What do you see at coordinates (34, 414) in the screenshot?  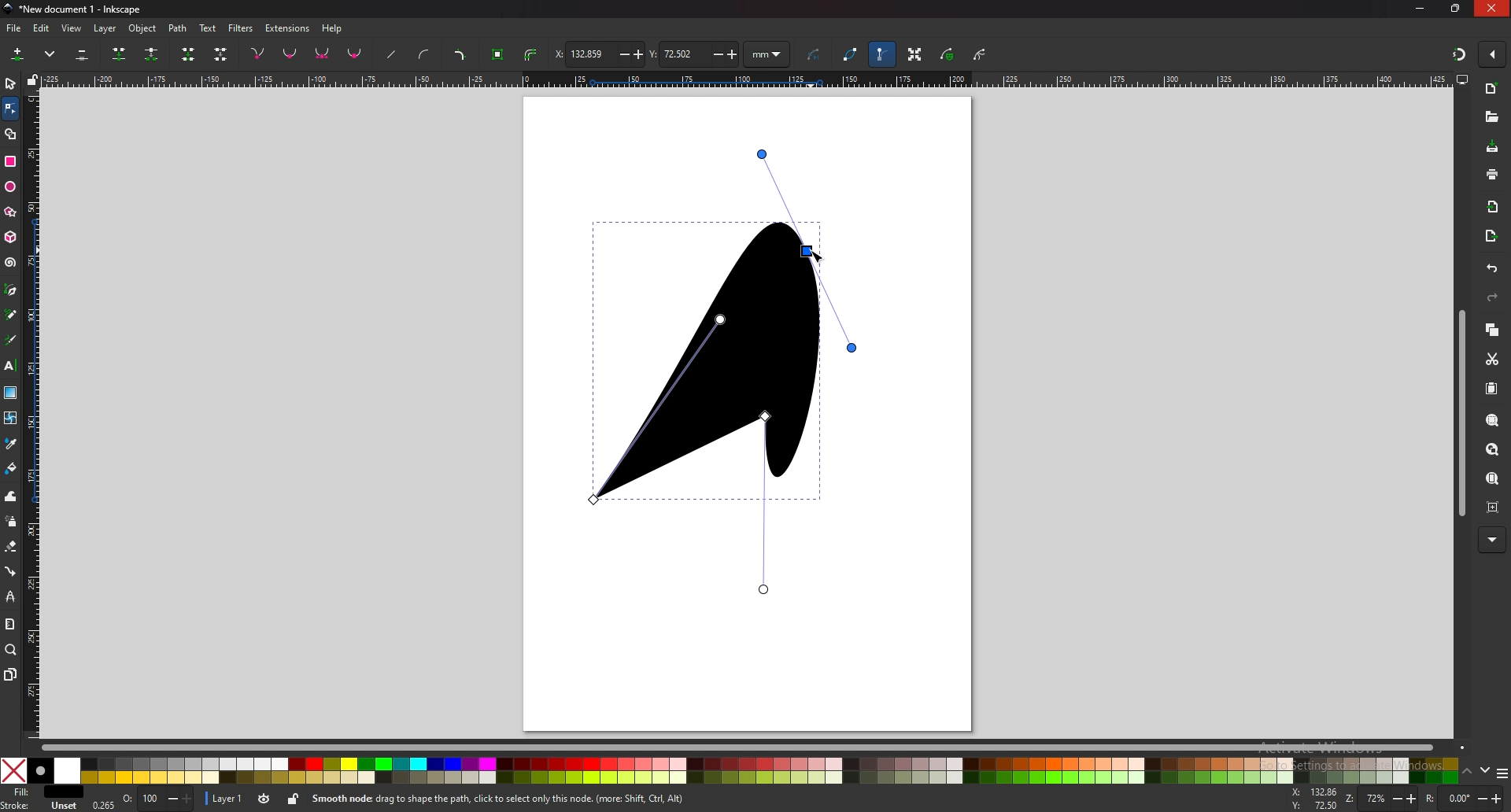 I see `vertical scale` at bounding box center [34, 414].